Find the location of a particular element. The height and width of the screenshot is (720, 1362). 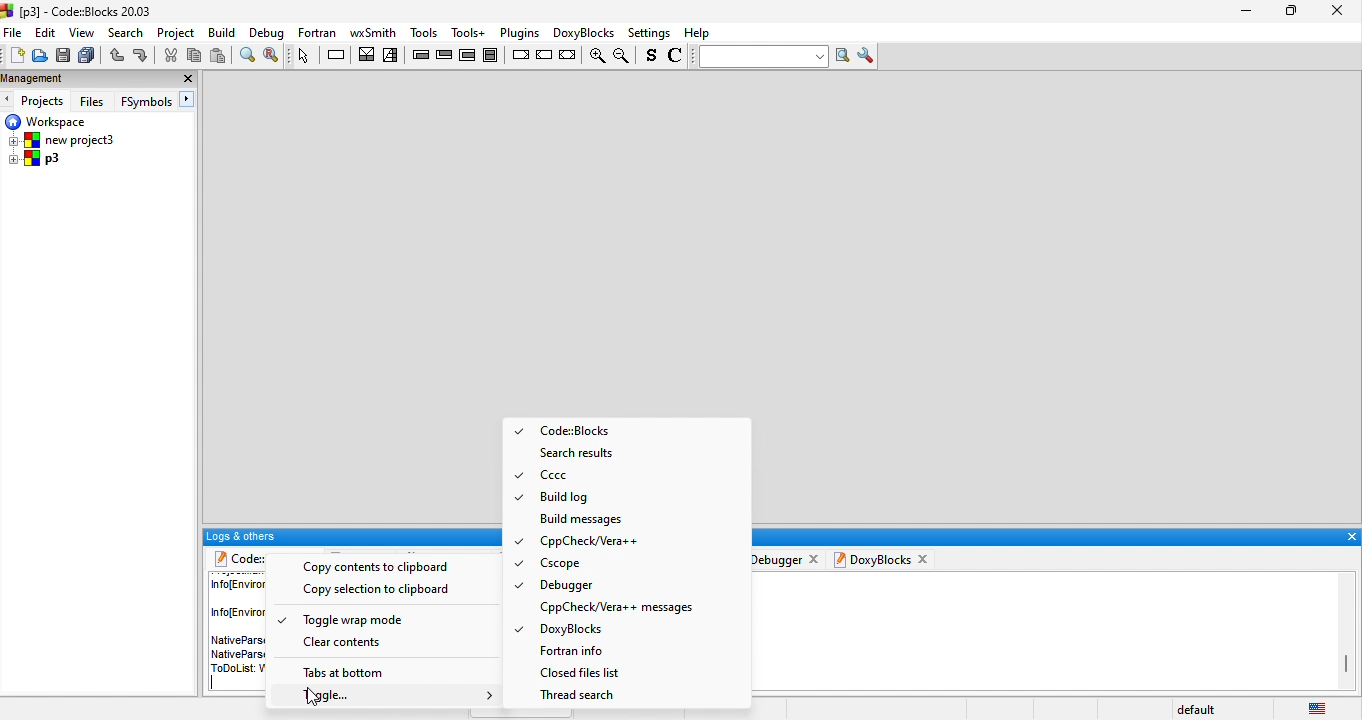

next is located at coordinates (189, 100).